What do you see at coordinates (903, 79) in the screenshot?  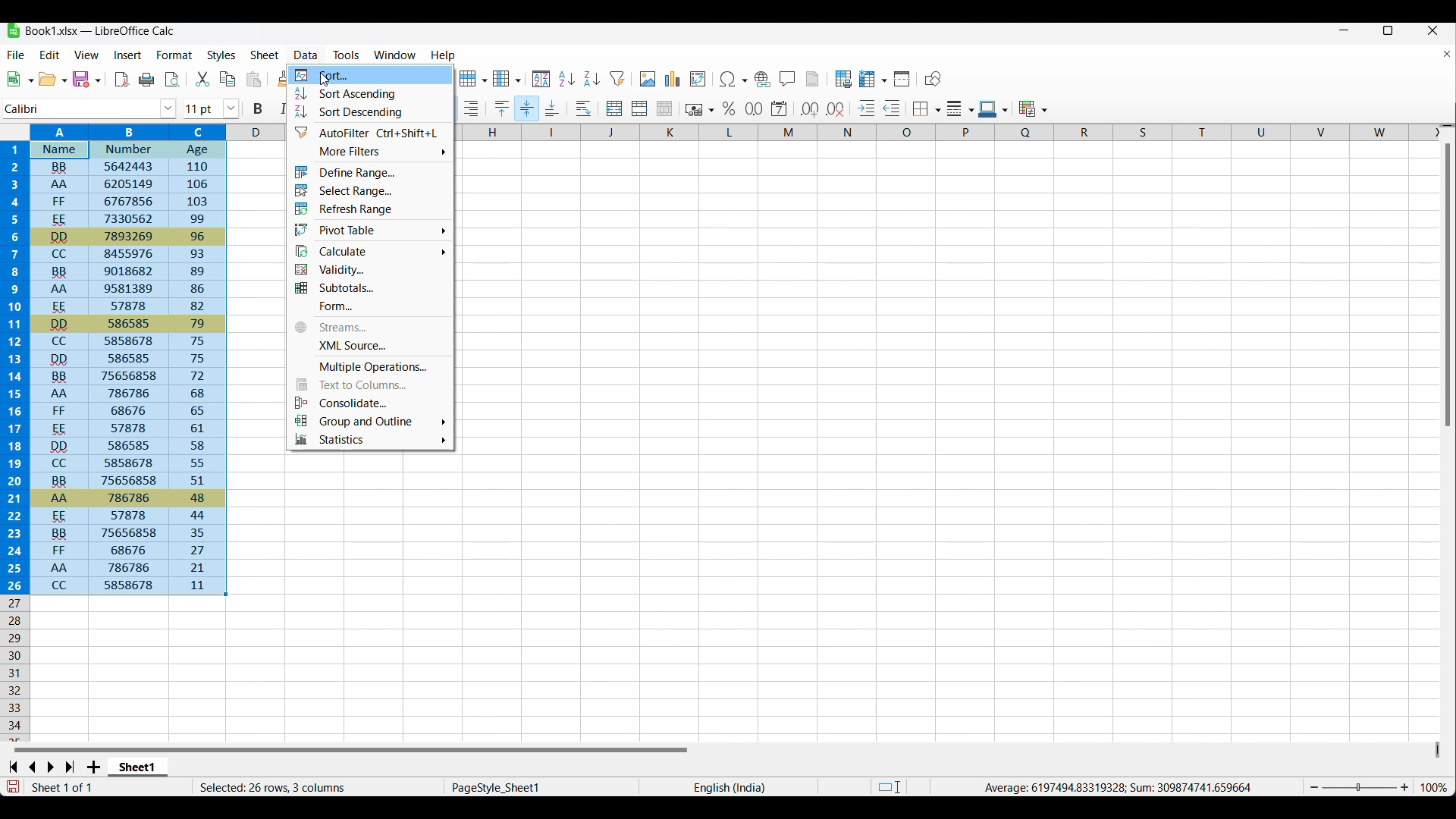 I see `Split window` at bounding box center [903, 79].